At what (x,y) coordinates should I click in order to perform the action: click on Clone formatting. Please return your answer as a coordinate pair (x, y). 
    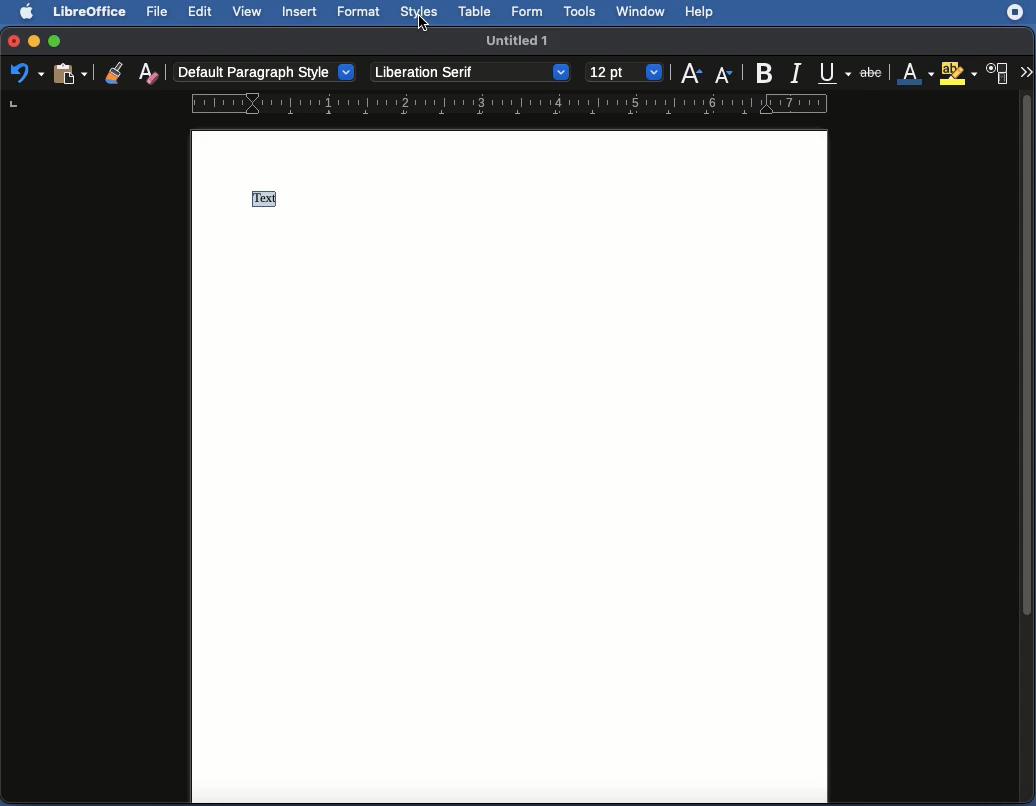
    Looking at the image, I should click on (113, 70).